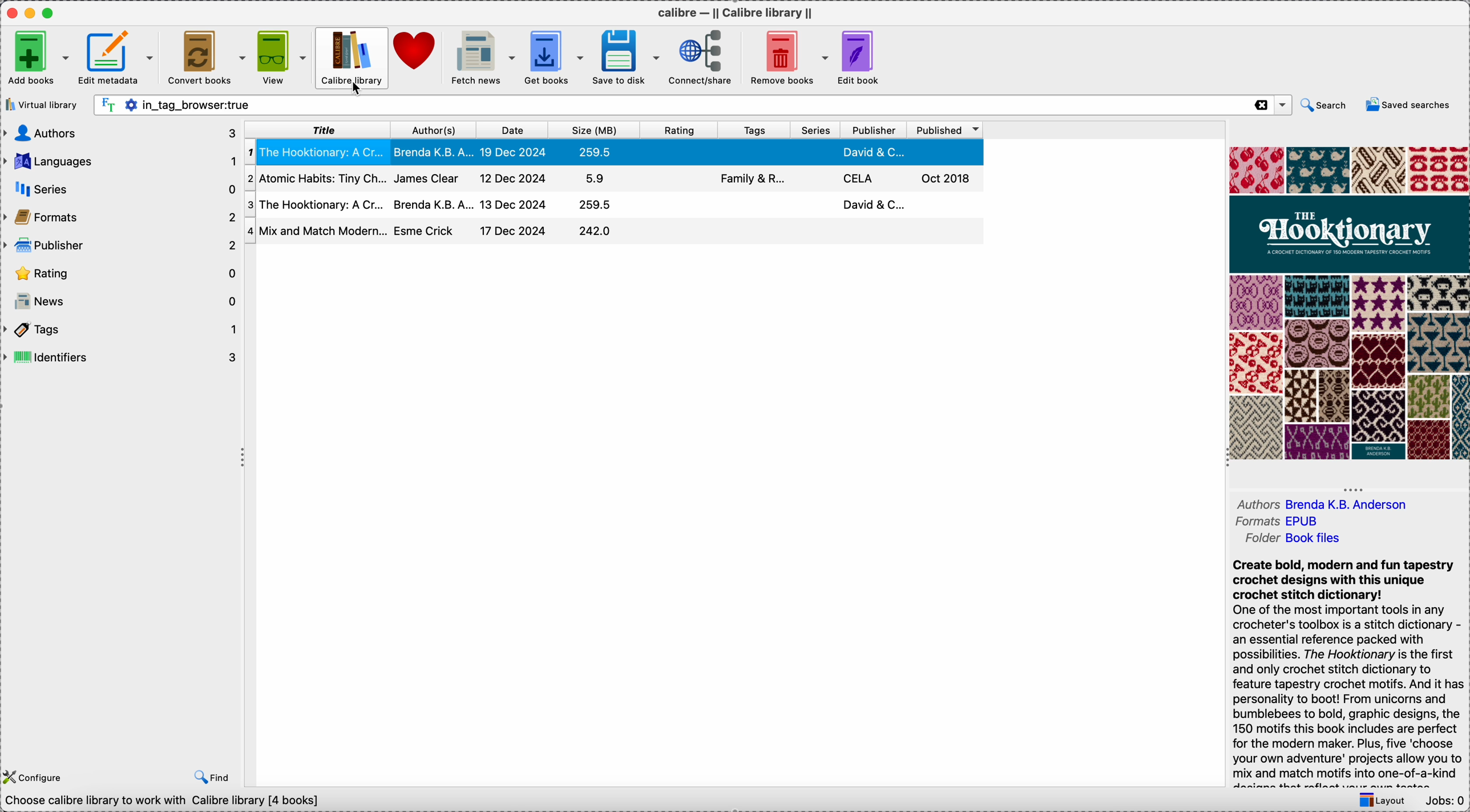  I want to click on remove books, so click(788, 58).